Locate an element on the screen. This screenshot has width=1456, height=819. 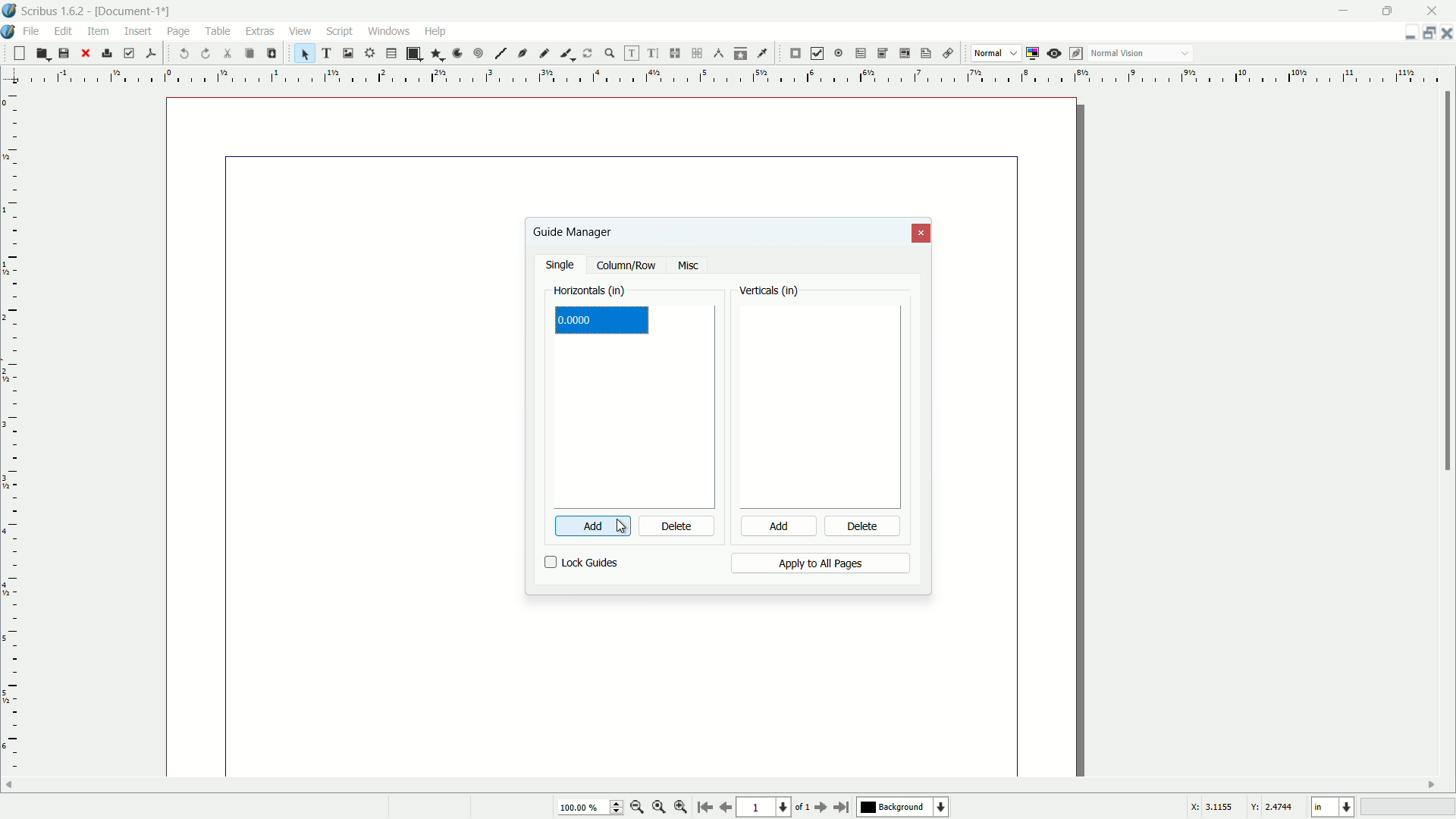
cursor is located at coordinates (178, 42).